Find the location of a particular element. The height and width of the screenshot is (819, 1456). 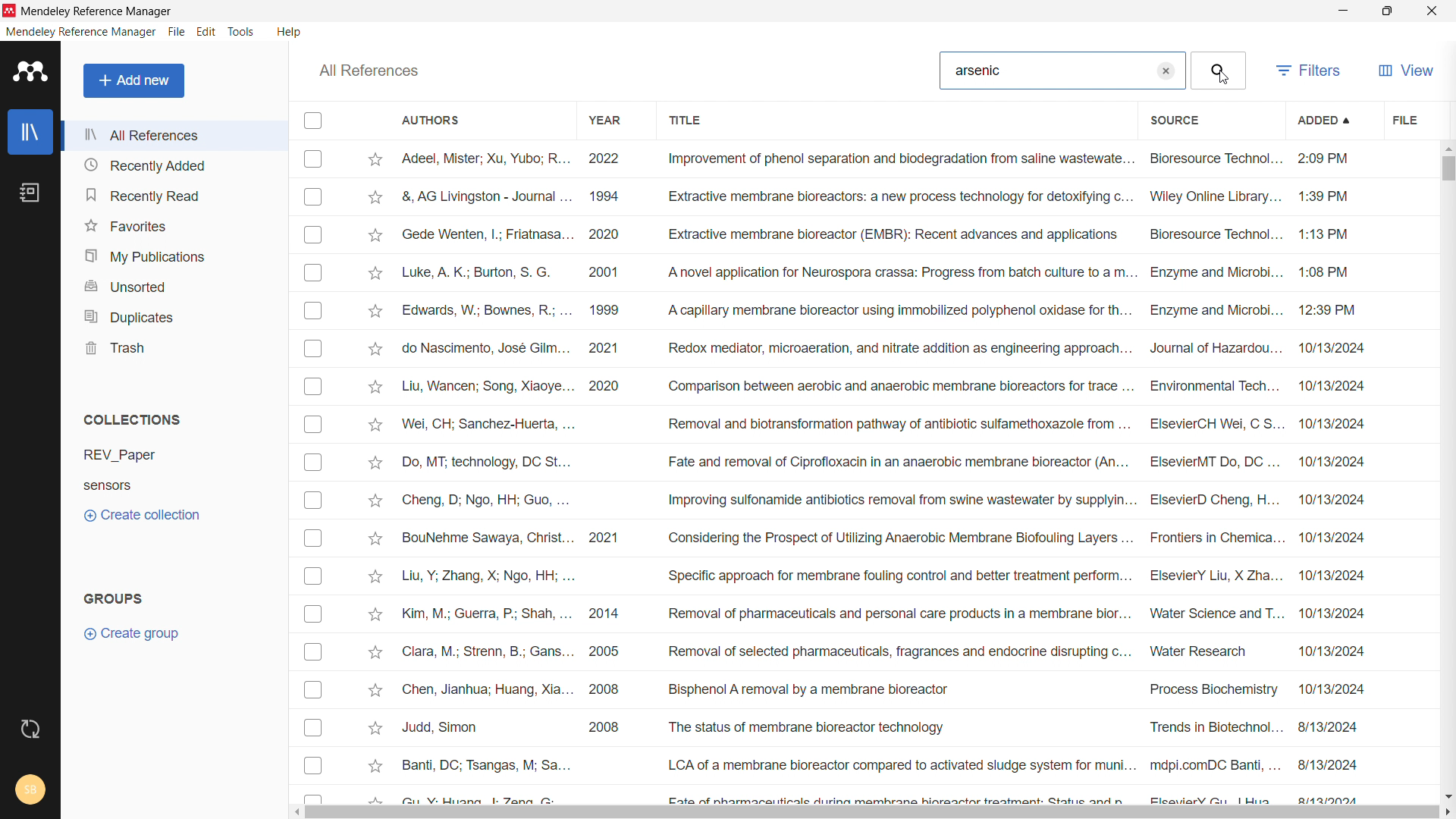

Checkbox is located at coordinates (311, 577).